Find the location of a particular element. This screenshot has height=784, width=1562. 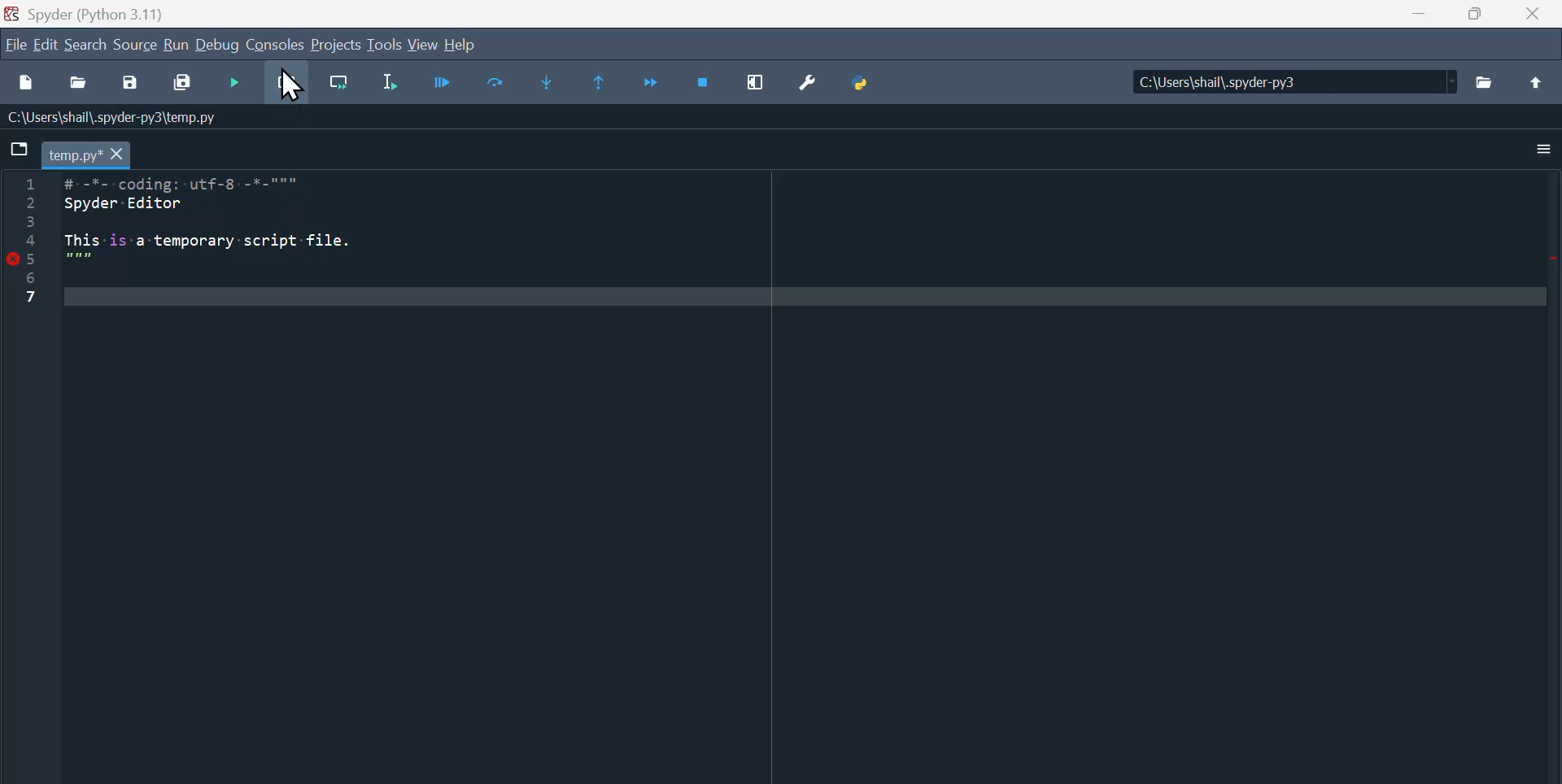

Run current cell is located at coordinates (339, 84).